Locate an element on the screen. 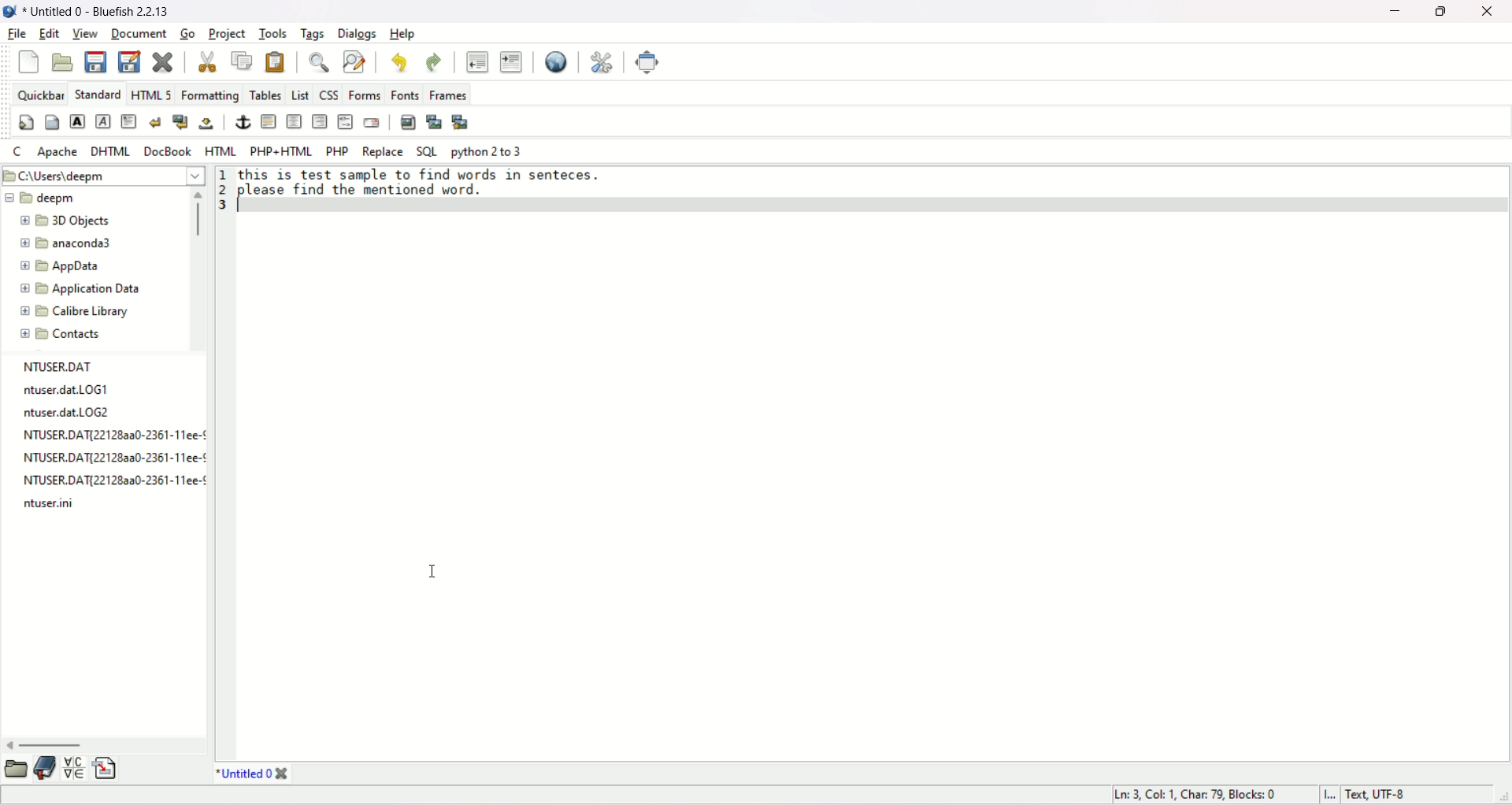  docbook is located at coordinates (169, 152).